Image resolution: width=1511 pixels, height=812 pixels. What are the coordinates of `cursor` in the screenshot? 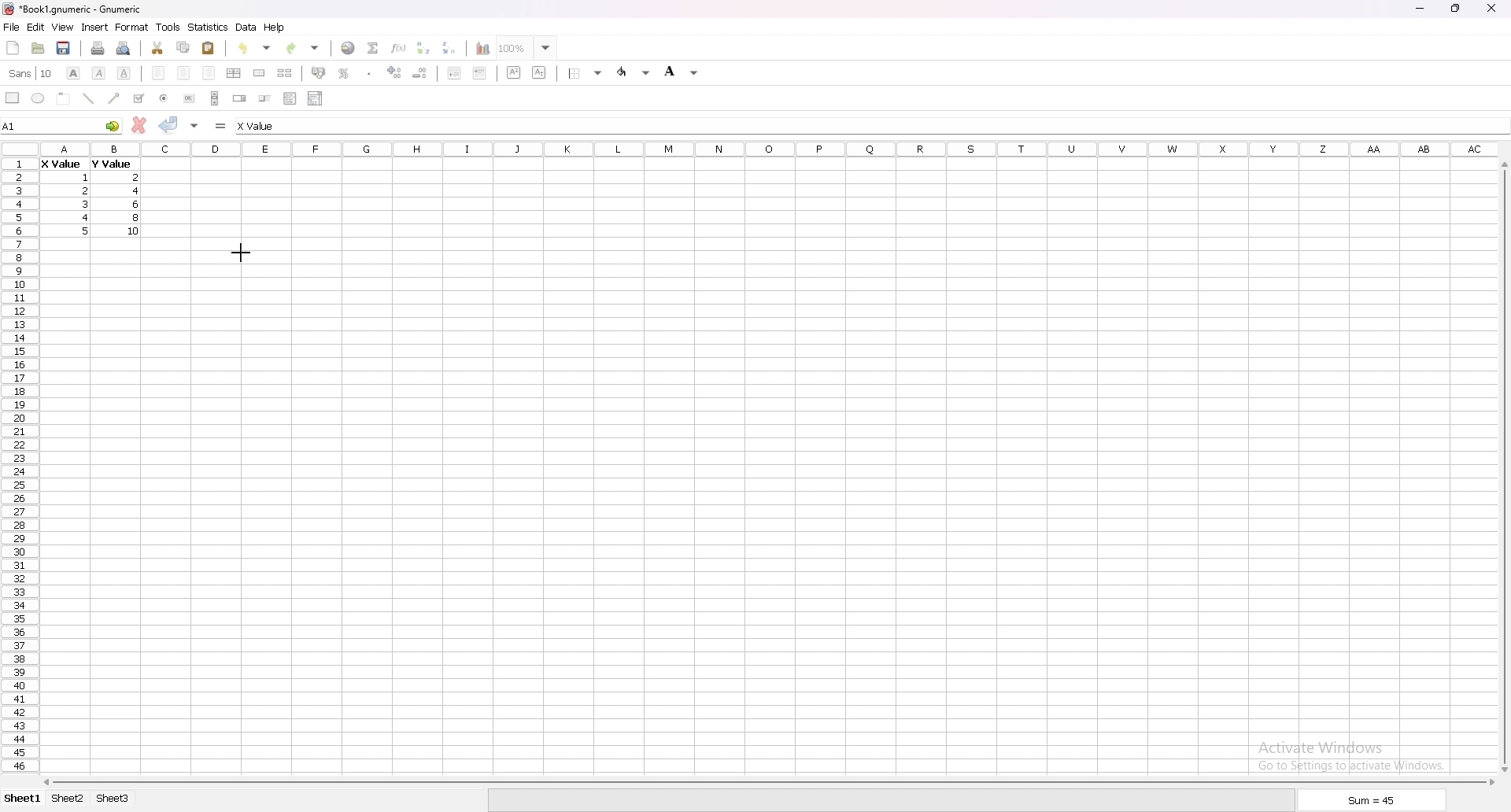 It's located at (243, 252).